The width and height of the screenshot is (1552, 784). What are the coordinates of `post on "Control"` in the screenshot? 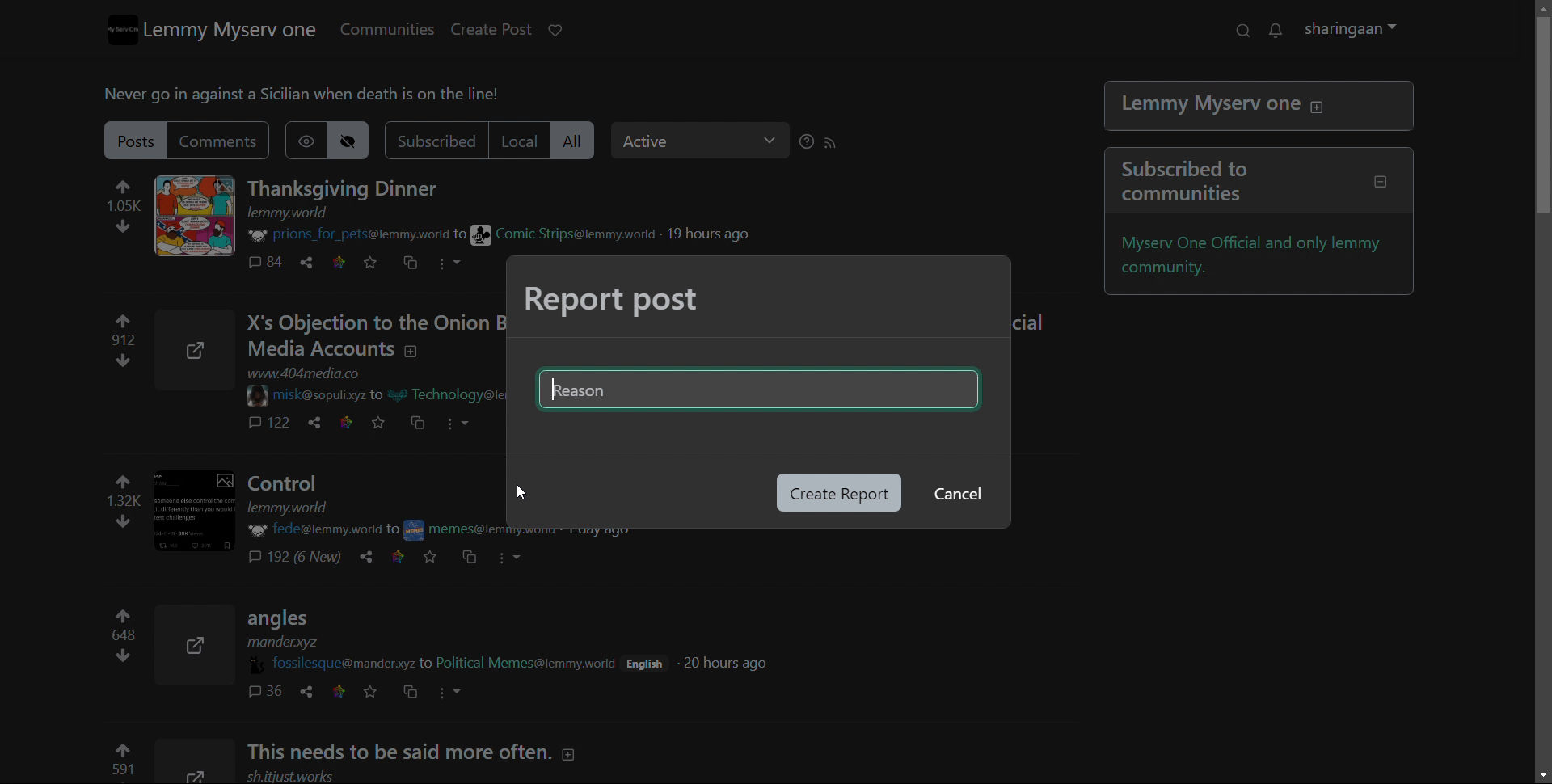 It's located at (373, 491).